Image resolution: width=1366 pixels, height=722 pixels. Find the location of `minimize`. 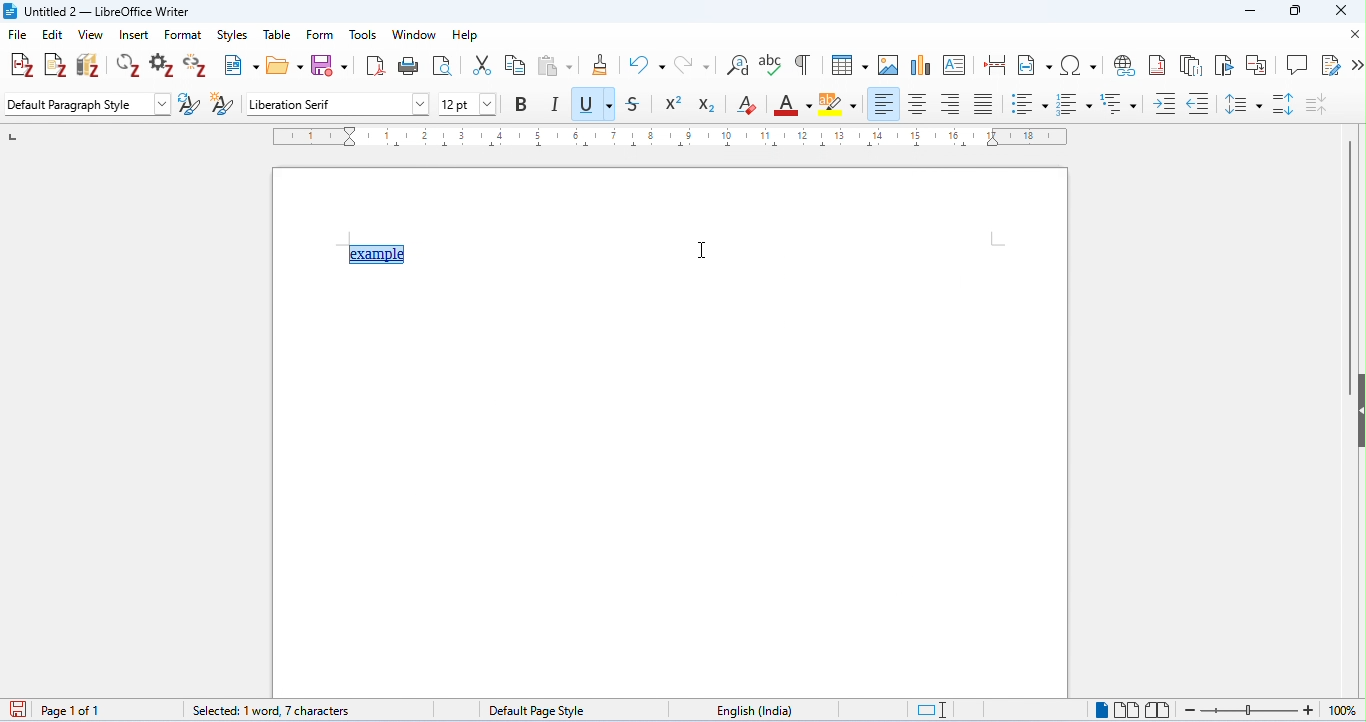

minimize is located at coordinates (1248, 12).